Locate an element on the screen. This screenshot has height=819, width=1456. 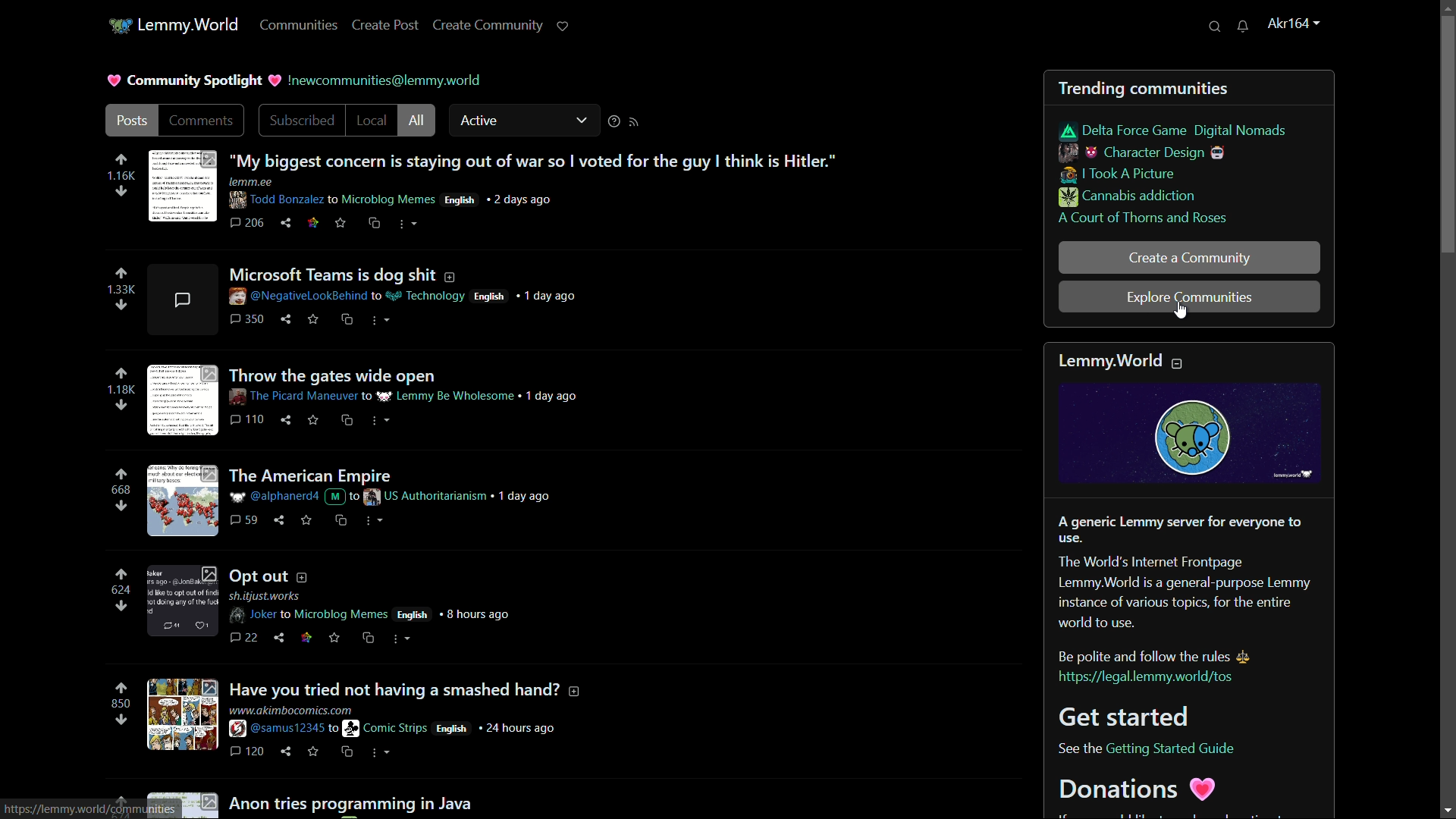
number of votes is located at coordinates (124, 289).